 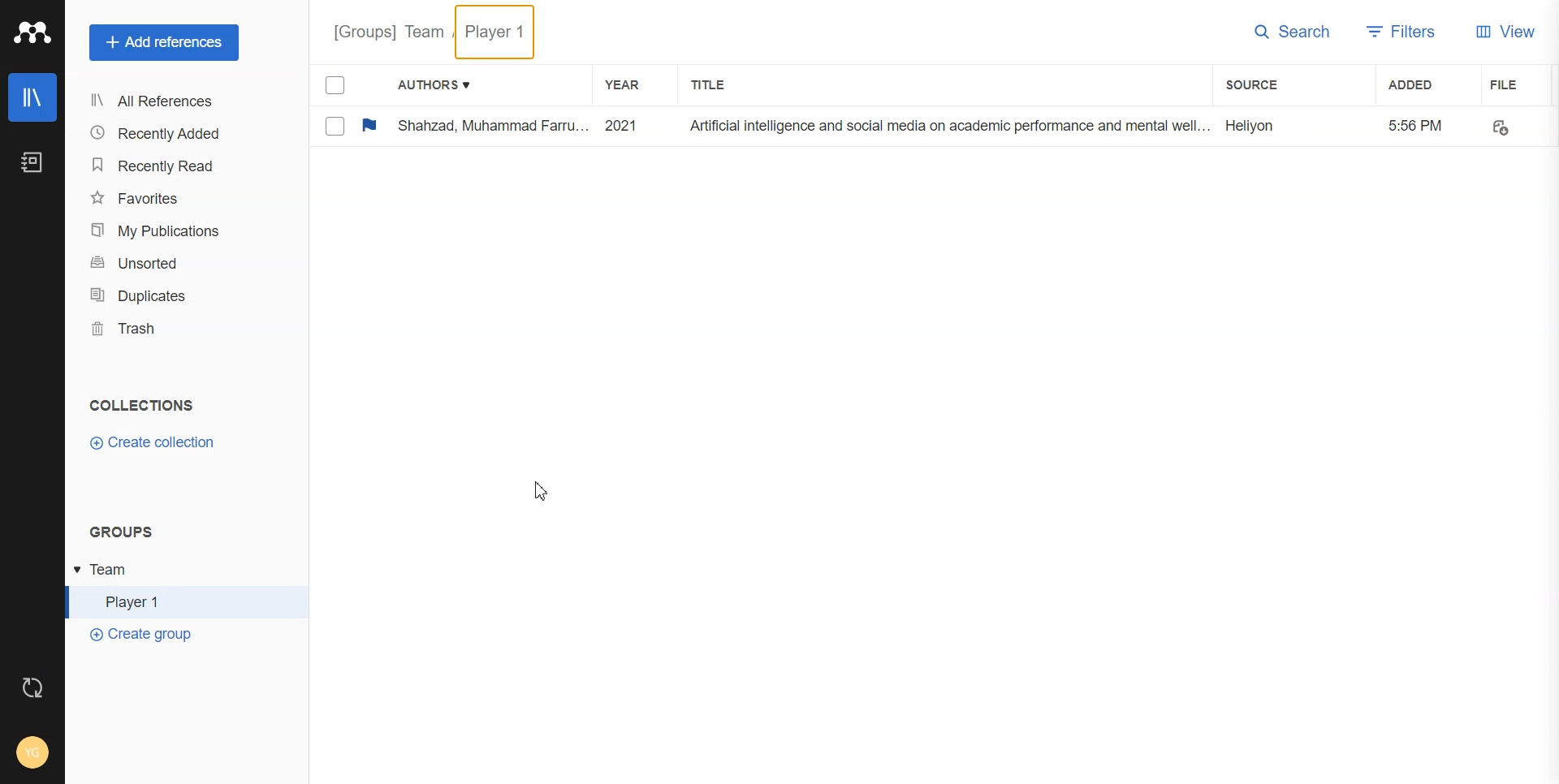 What do you see at coordinates (179, 601) in the screenshot?
I see `Player 1` at bounding box center [179, 601].